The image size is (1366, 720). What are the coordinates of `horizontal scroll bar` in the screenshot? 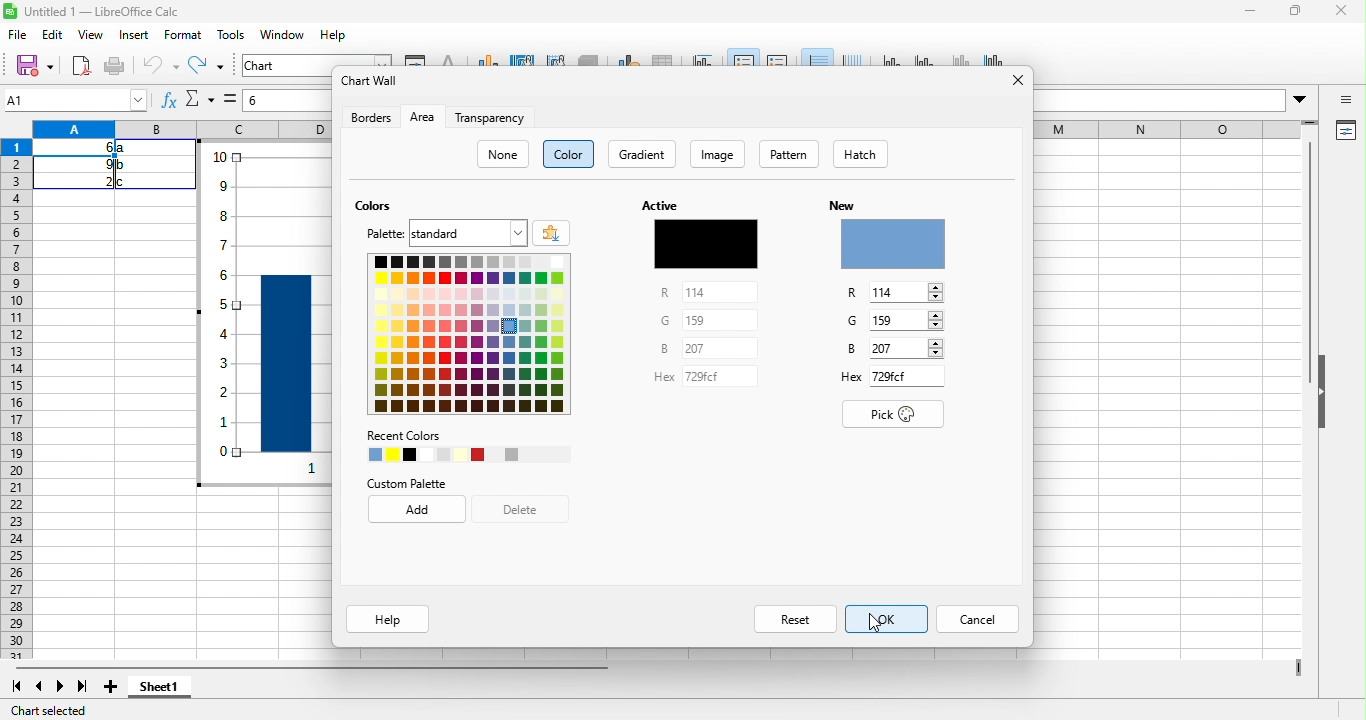 It's located at (351, 670).